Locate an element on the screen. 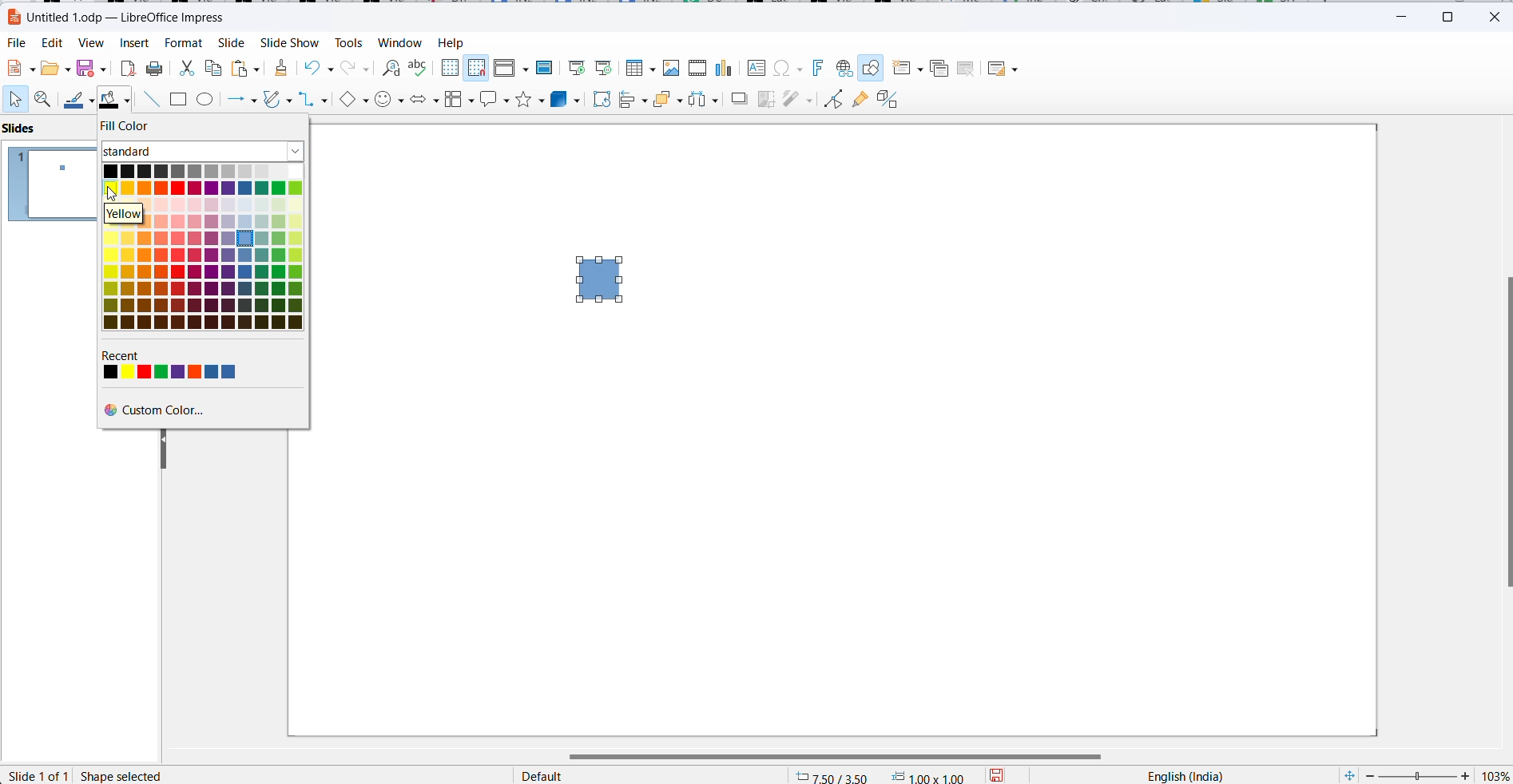  star shapes is located at coordinates (530, 100).